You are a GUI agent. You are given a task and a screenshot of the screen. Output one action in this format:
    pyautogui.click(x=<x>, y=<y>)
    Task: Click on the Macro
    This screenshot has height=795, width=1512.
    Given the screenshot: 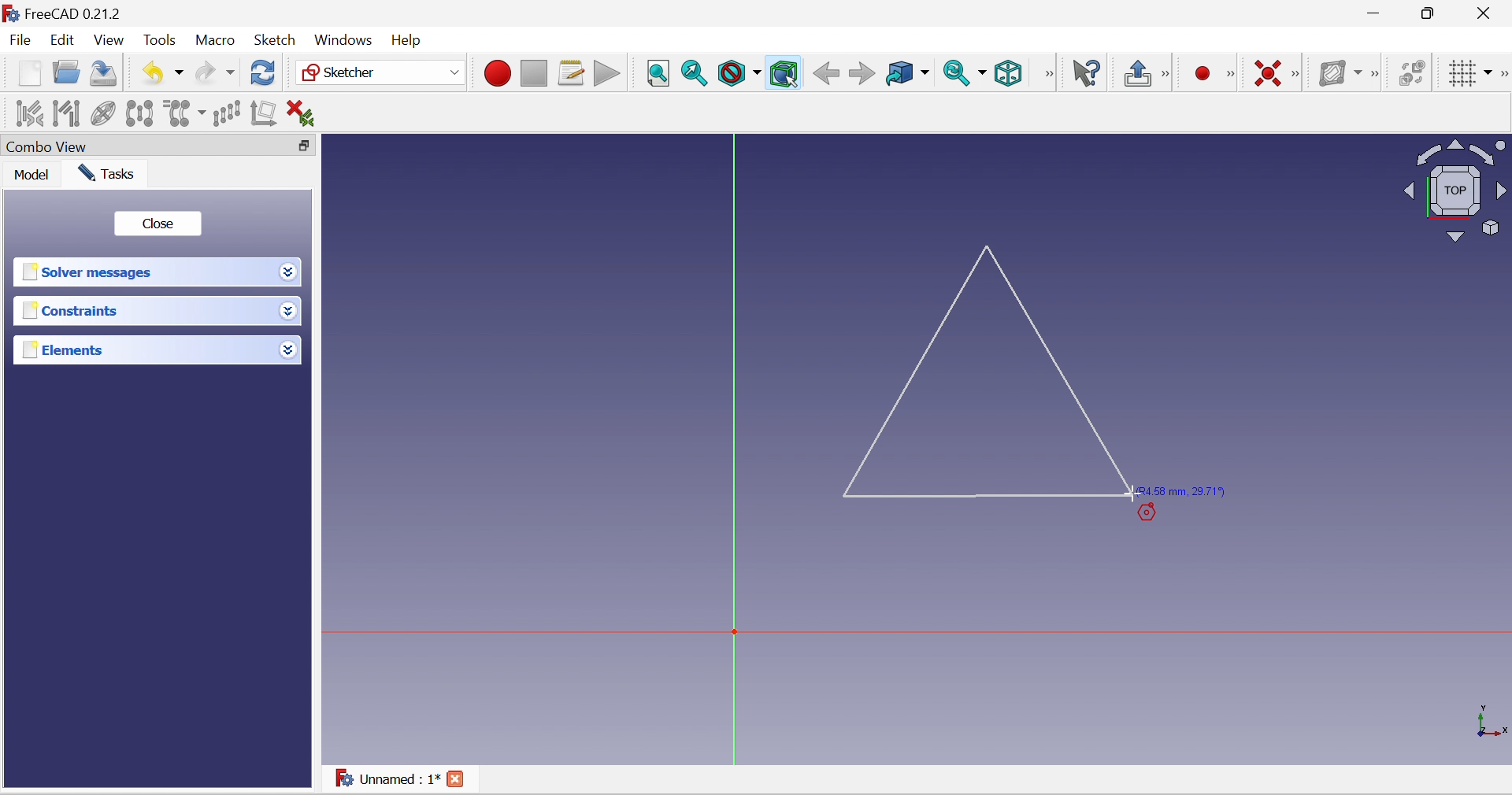 What is the action you would take?
    pyautogui.click(x=213, y=41)
    